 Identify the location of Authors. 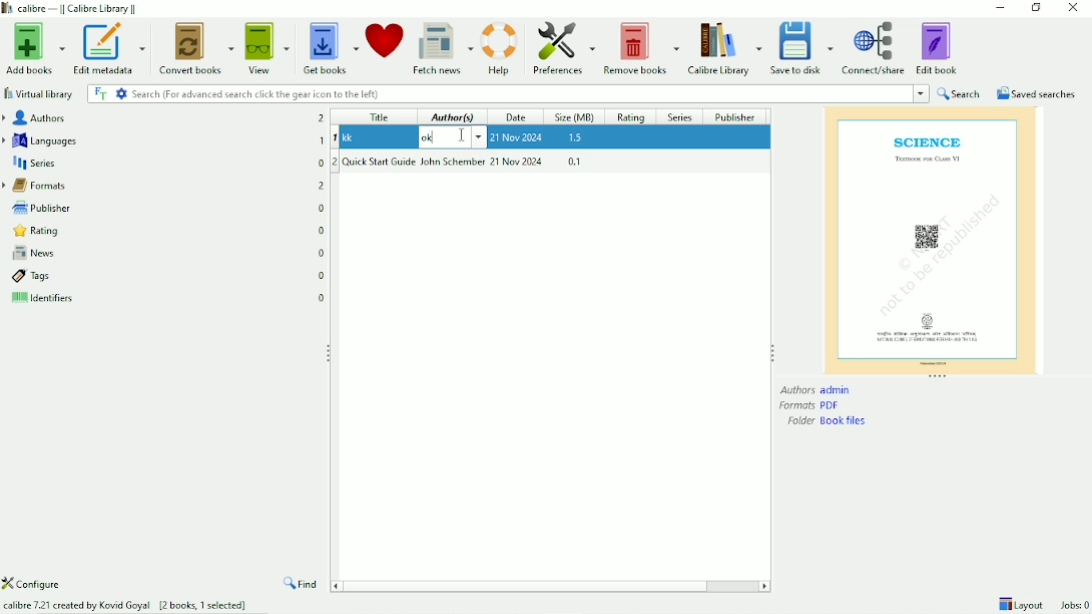
(816, 389).